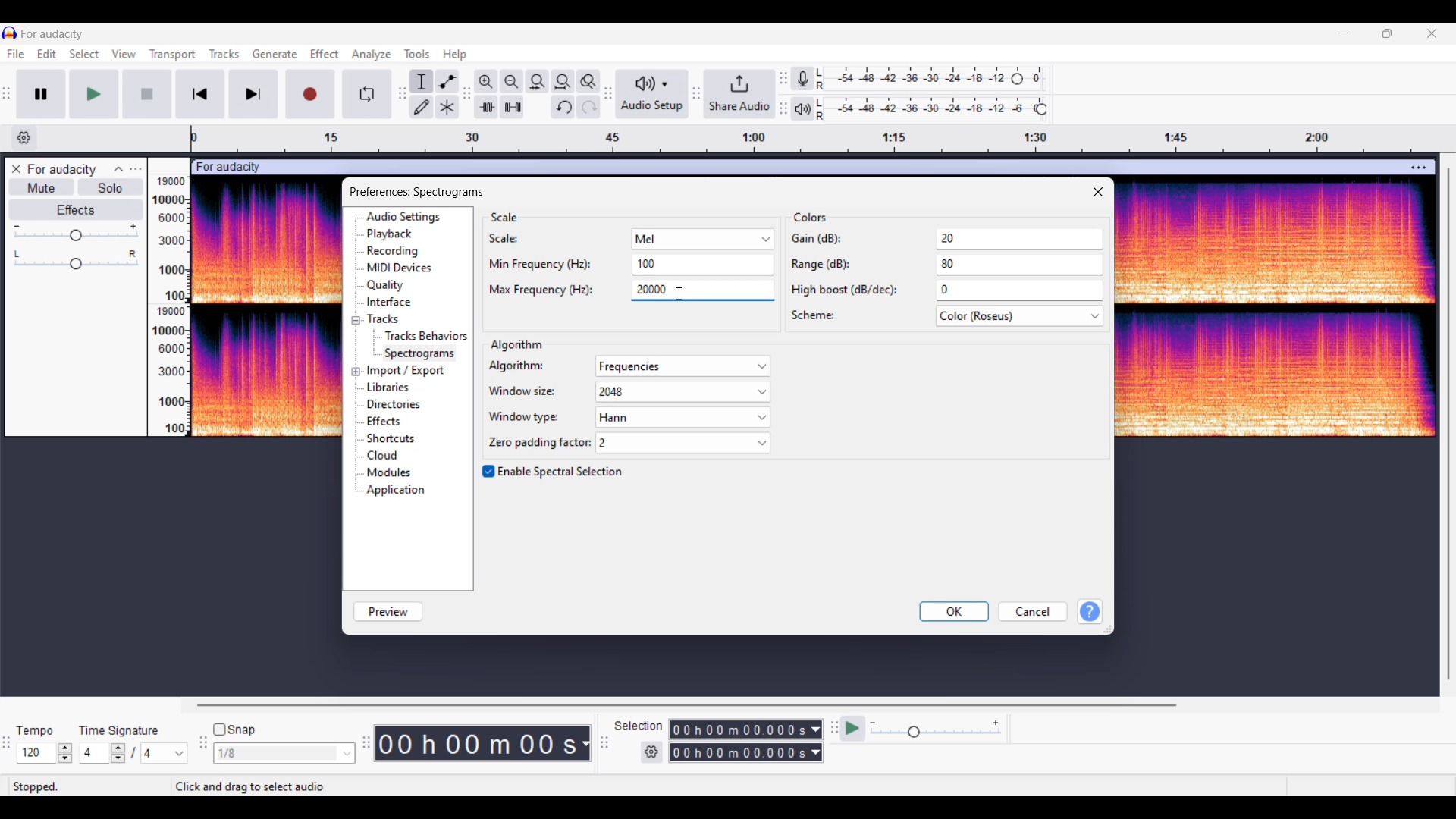  What do you see at coordinates (1432, 33) in the screenshot?
I see `Close interface` at bounding box center [1432, 33].